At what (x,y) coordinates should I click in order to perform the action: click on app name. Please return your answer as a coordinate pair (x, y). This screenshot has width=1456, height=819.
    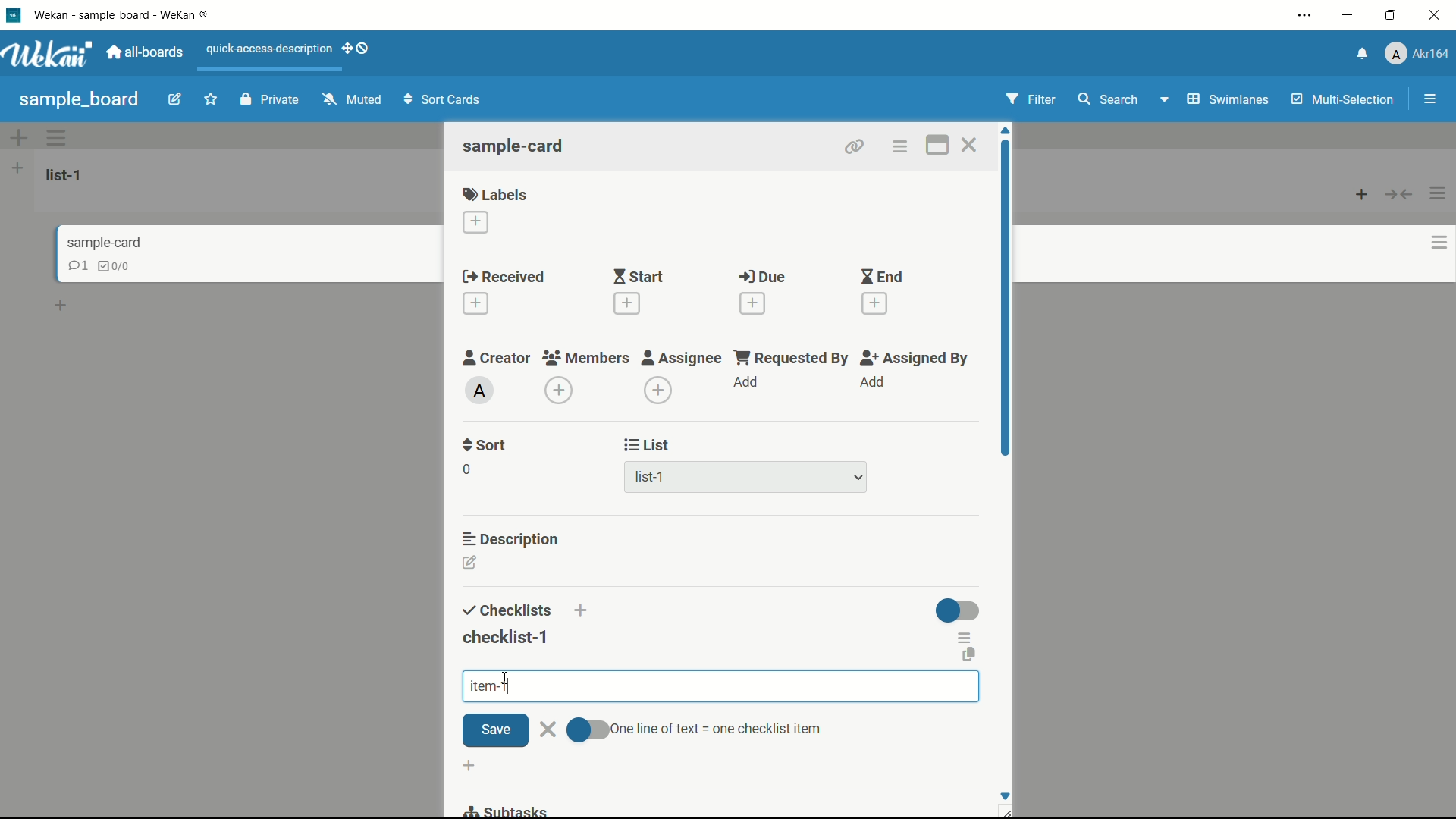
    Looking at the image, I should click on (124, 16).